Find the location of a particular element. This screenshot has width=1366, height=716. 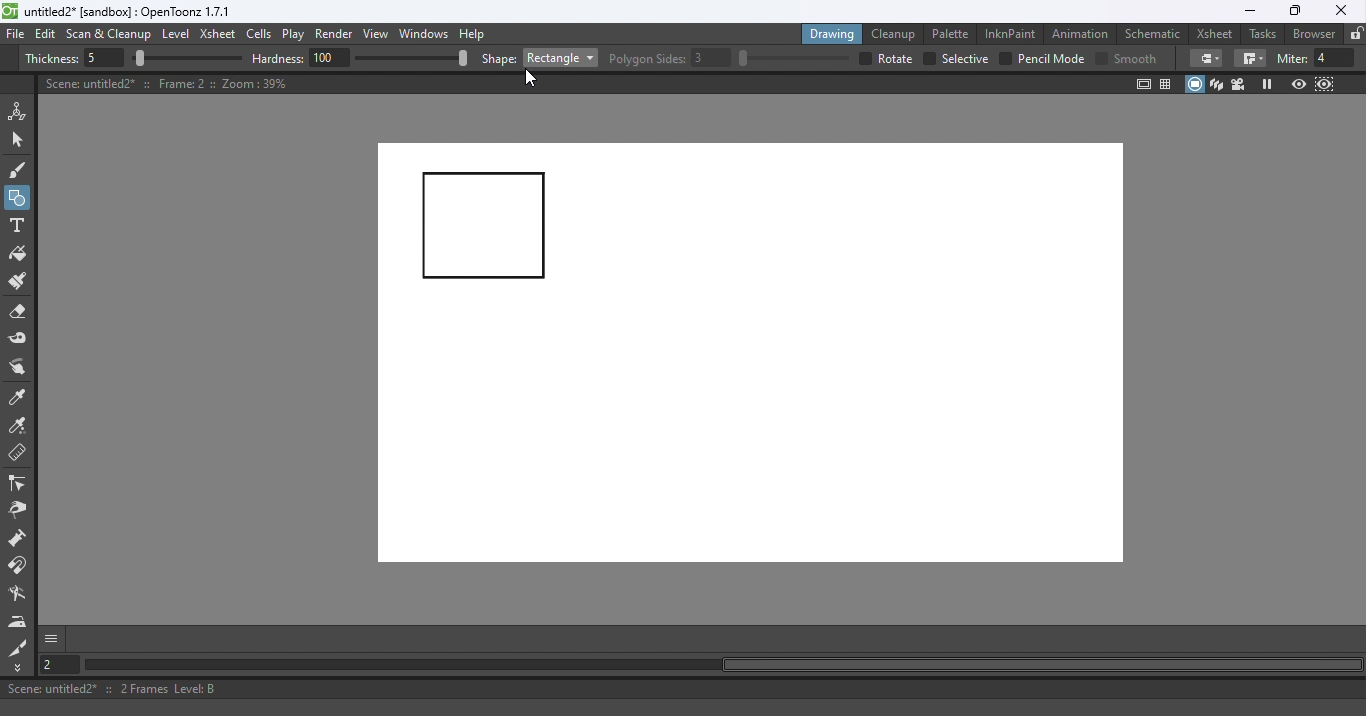

Schematic is located at coordinates (1153, 34).